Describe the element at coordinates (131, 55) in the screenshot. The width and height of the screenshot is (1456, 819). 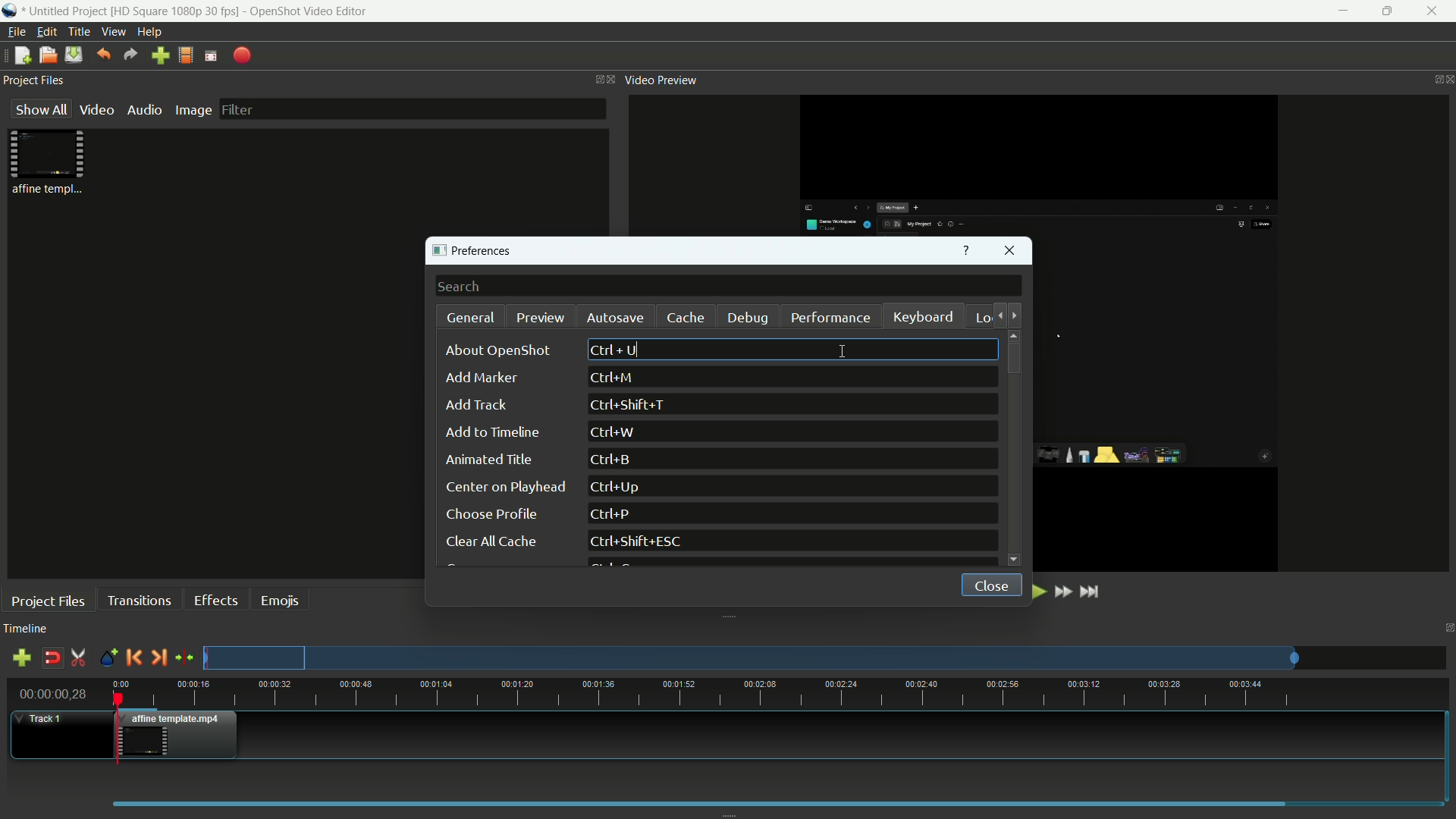
I see `redo` at that location.